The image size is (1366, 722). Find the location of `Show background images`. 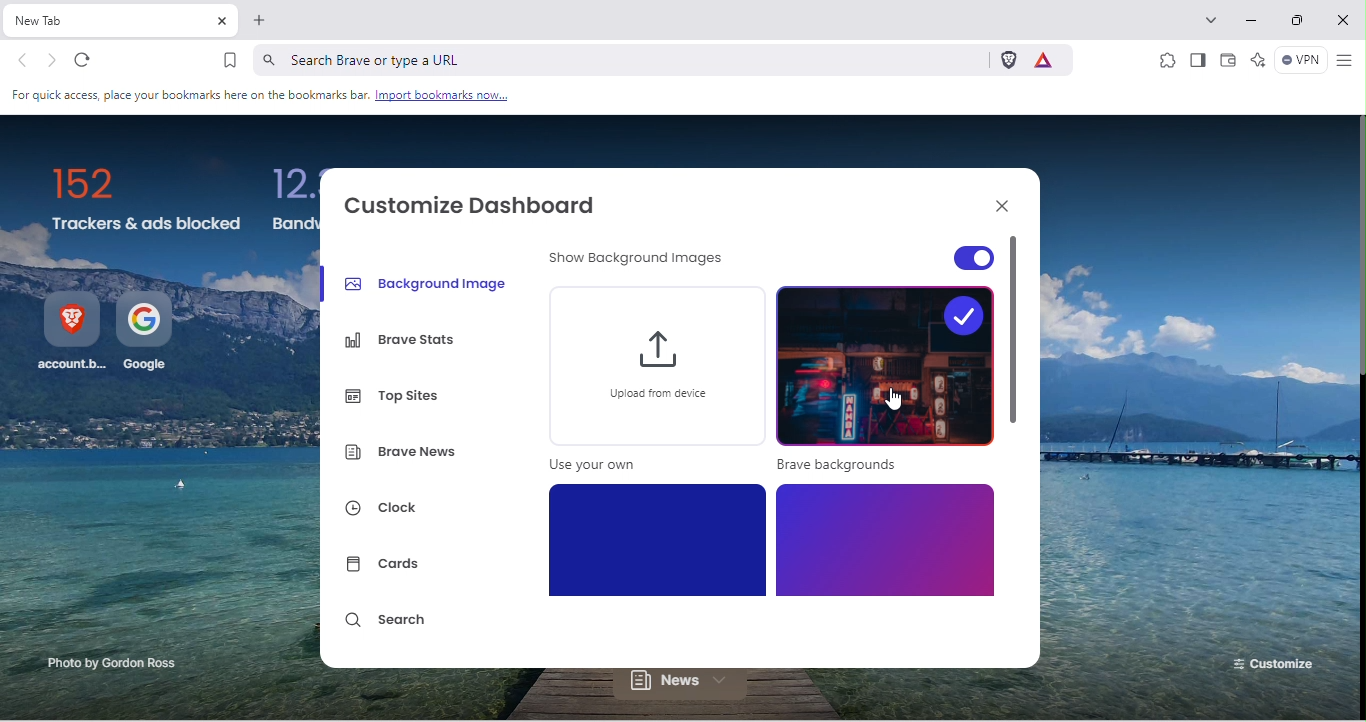

Show background images is located at coordinates (641, 262).